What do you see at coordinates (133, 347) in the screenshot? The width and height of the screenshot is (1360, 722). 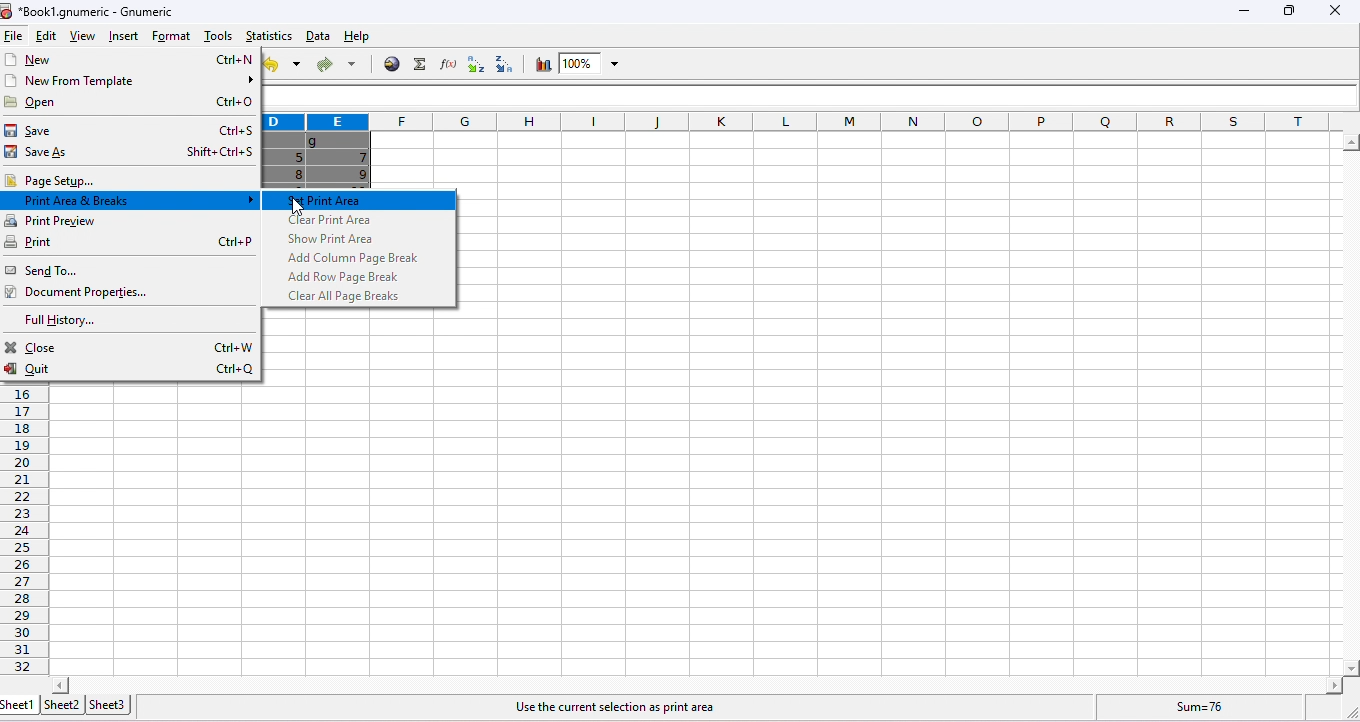 I see `close` at bounding box center [133, 347].